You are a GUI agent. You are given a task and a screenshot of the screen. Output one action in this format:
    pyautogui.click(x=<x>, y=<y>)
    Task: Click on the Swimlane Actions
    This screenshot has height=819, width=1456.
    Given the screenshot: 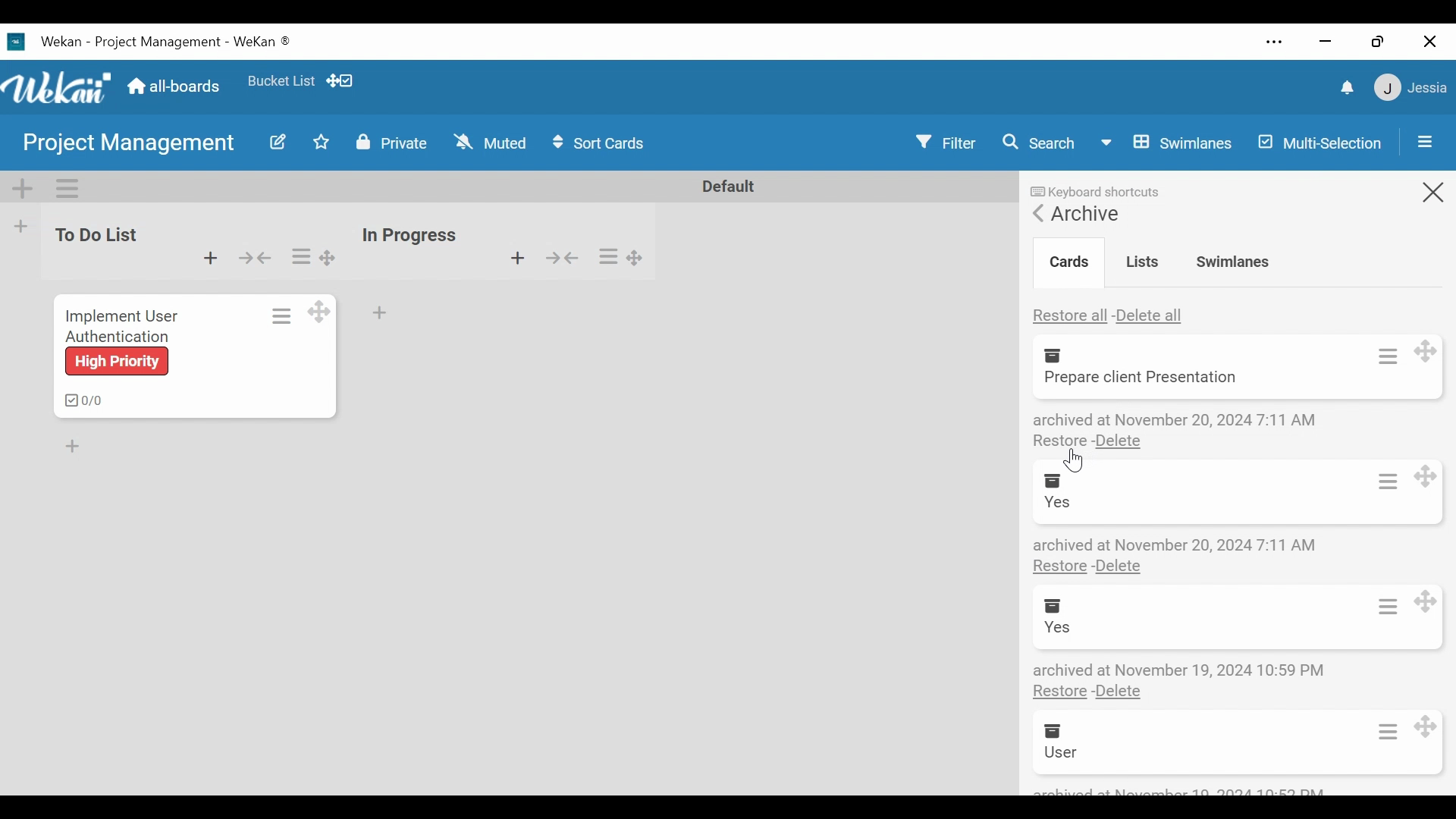 What is the action you would take?
    pyautogui.click(x=63, y=188)
    